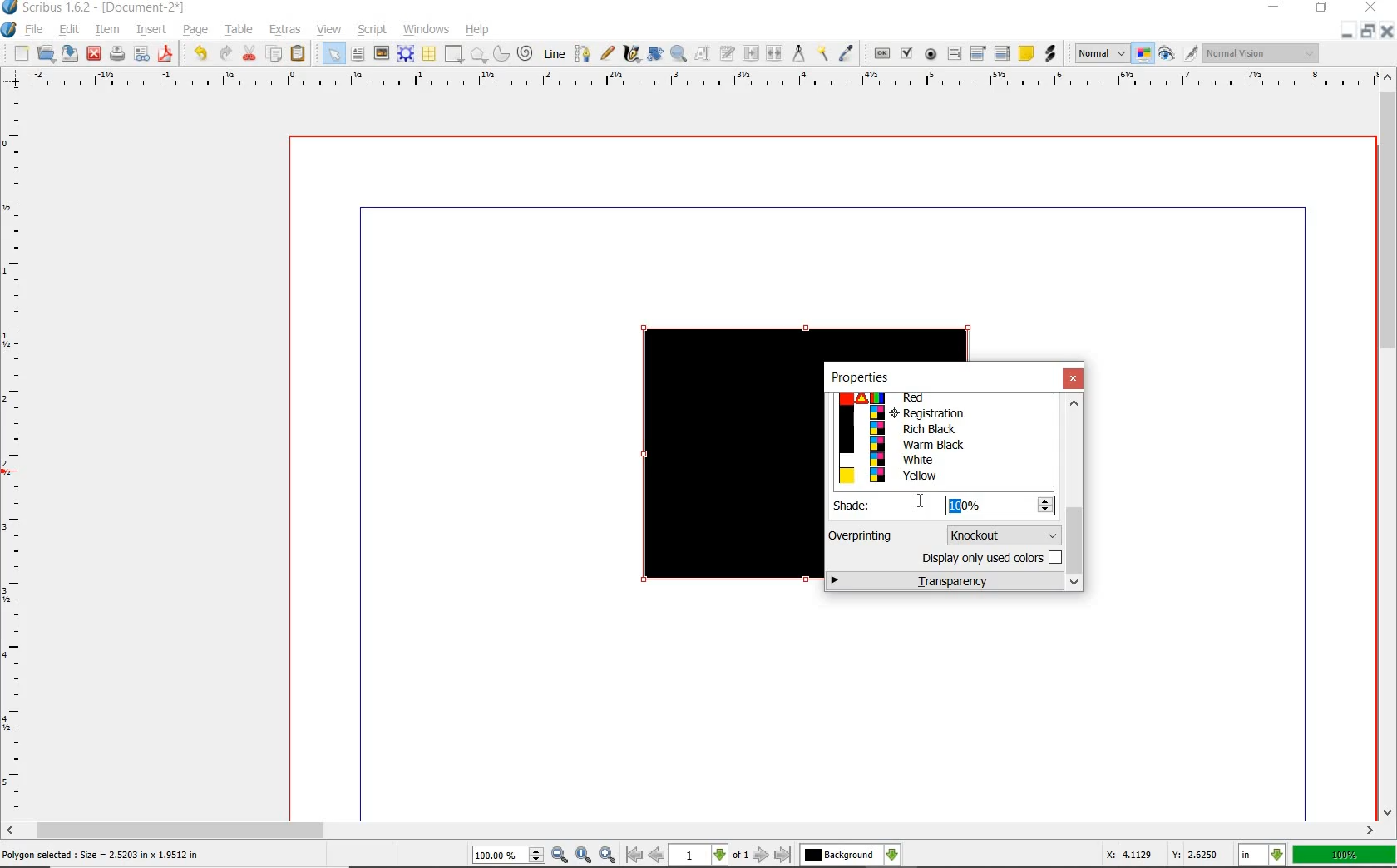 The height and width of the screenshot is (868, 1397). I want to click on Yellow, so click(941, 476).